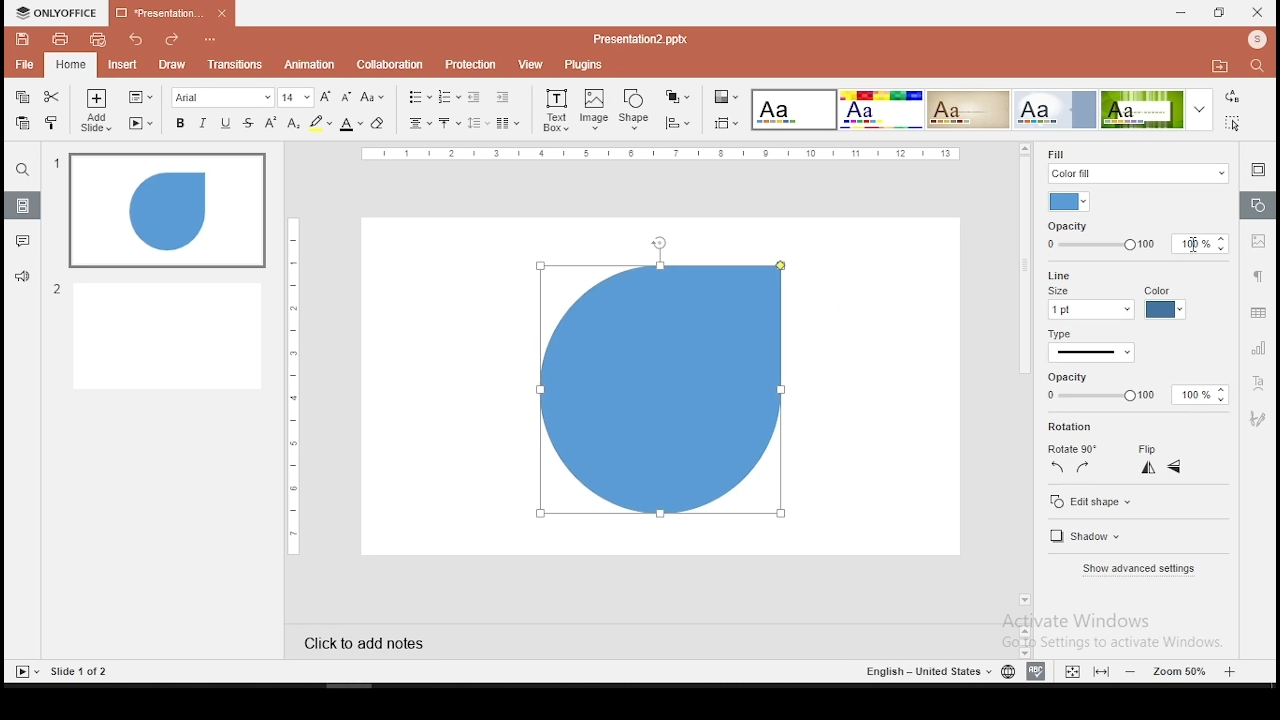  I want to click on line type selection, so click(1092, 354).